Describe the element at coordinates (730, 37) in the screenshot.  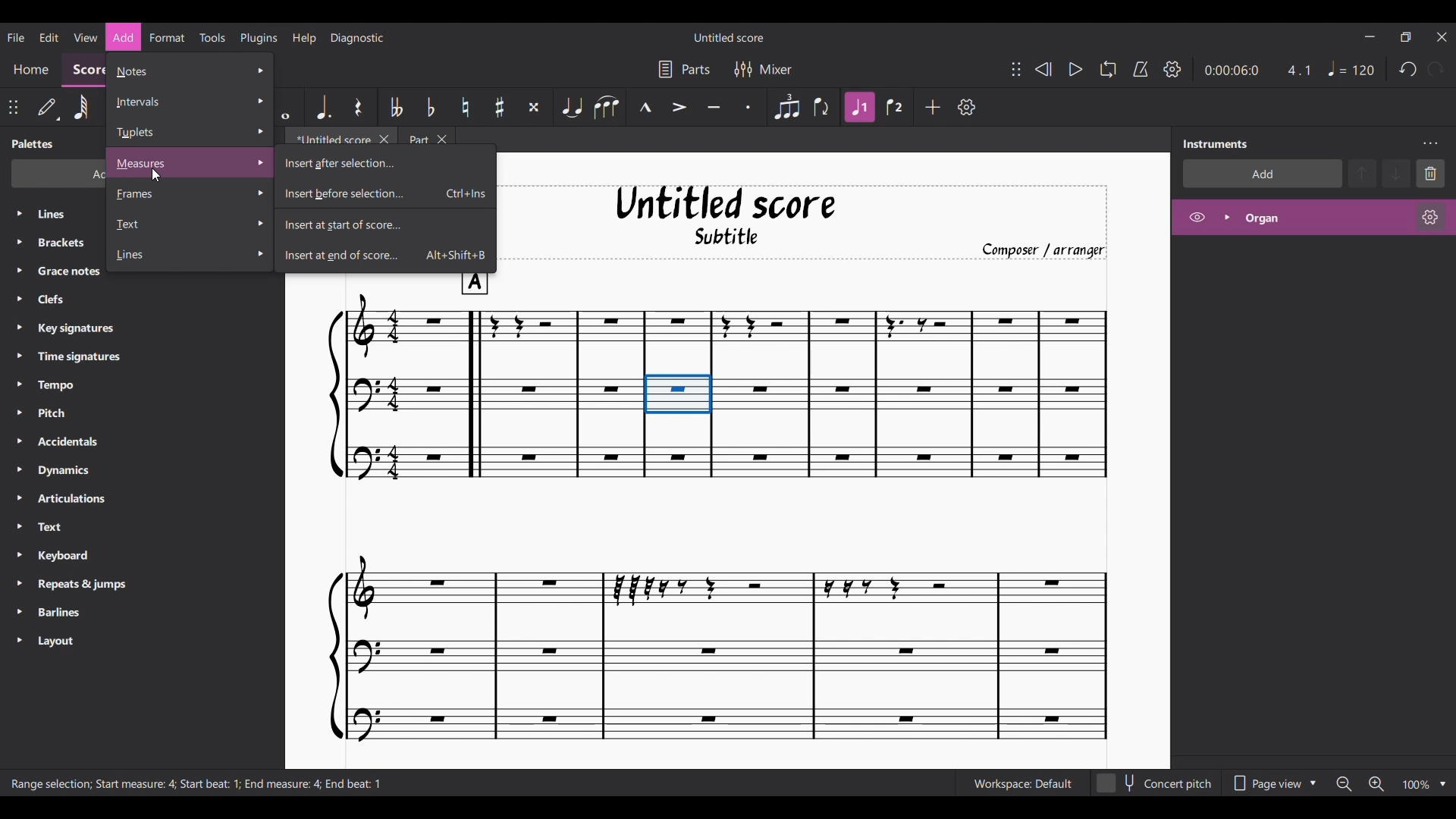
I see `Name of current score` at that location.